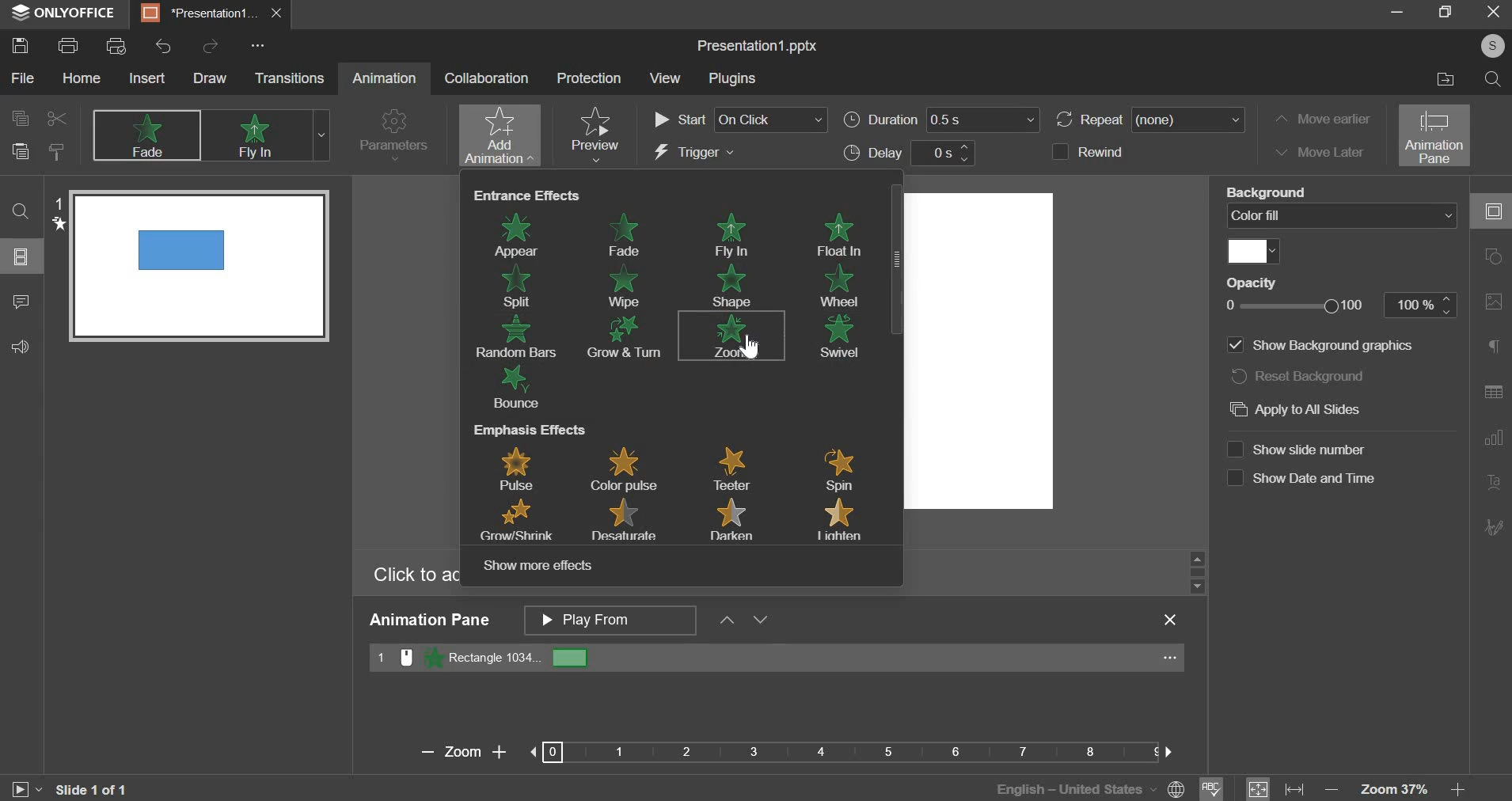 This screenshot has width=1512, height=801. Describe the element at coordinates (1248, 250) in the screenshot. I see `color fill` at that location.